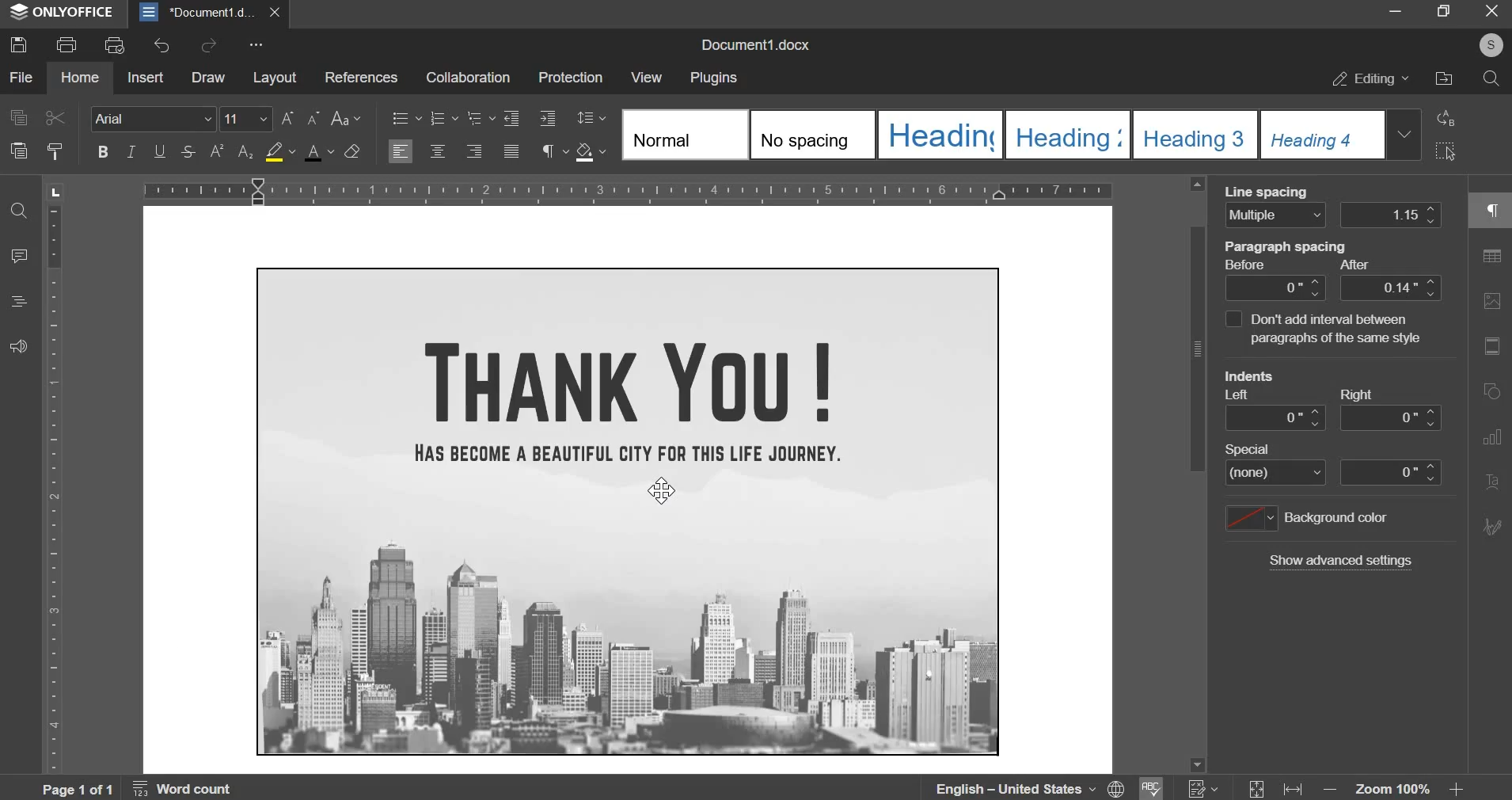 The height and width of the screenshot is (800, 1512). What do you see at coordinates (151, 118) in the screenshot?
I see `font` at bounding box center [151, 118].